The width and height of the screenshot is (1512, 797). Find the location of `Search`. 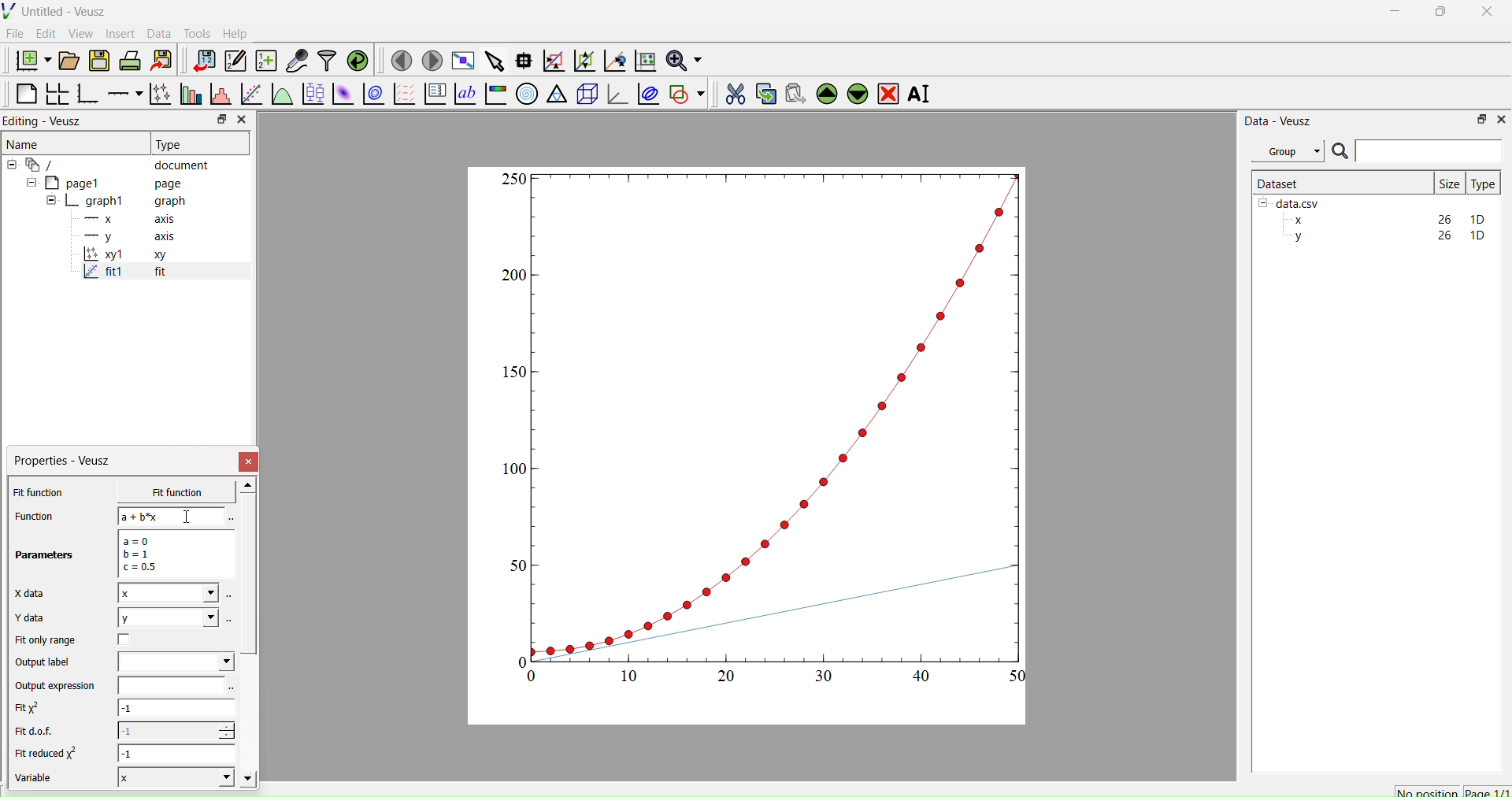

Search is located at coordinates (1340, 152).